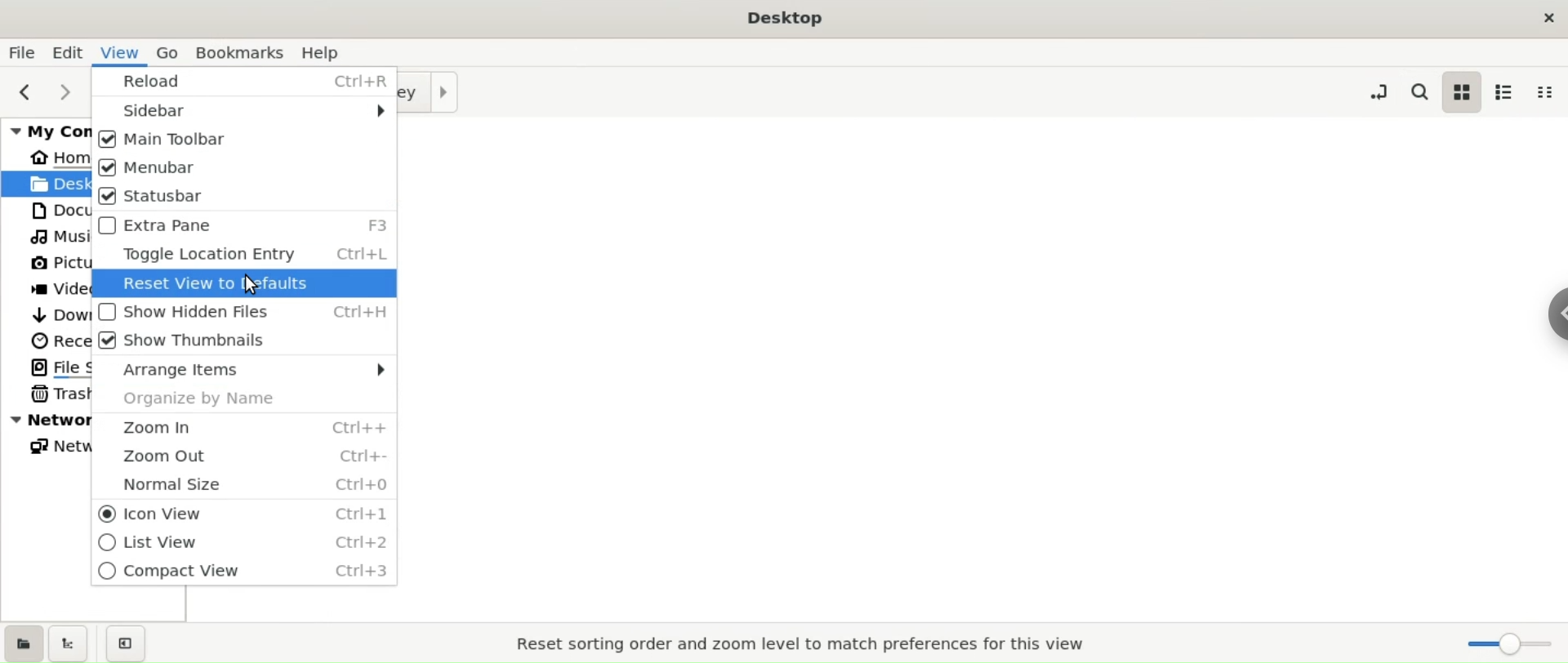 This screenshot has width=1568, height=663. What do you see at coordinates (247, 227) in the screenshot?
I see `extra page` at bounding box center [247, 227].